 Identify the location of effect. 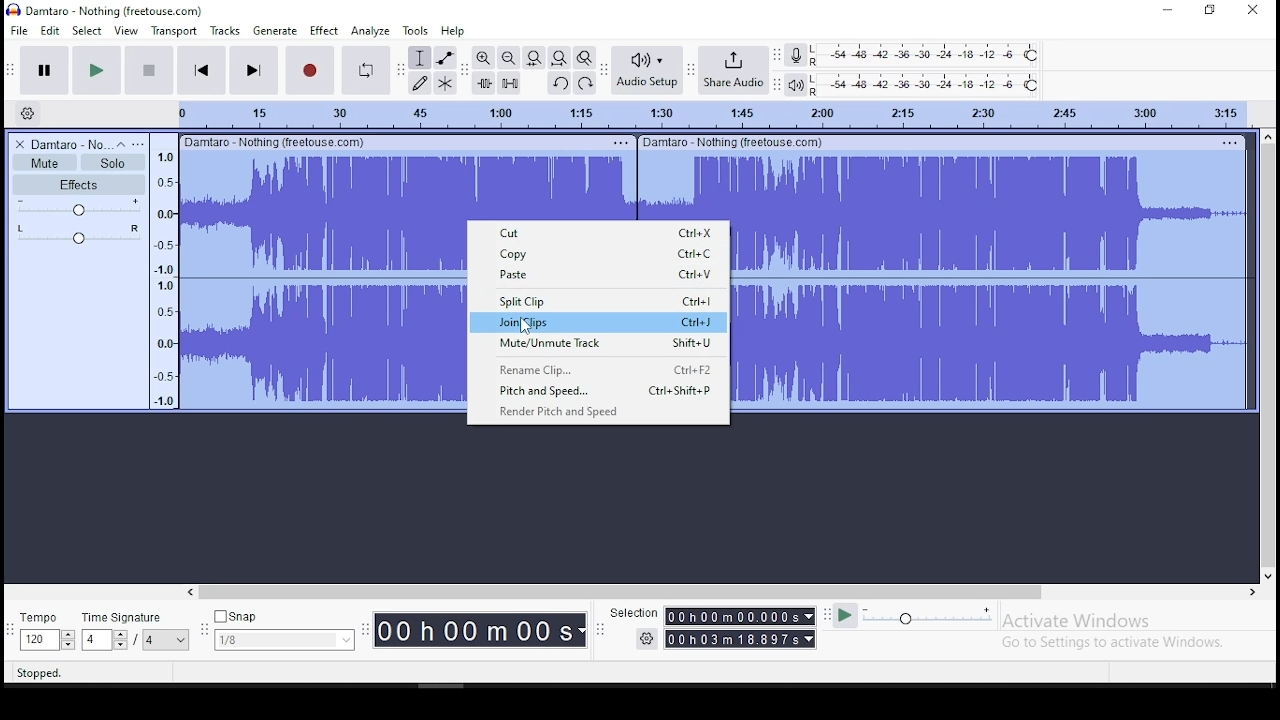
(325, 32).